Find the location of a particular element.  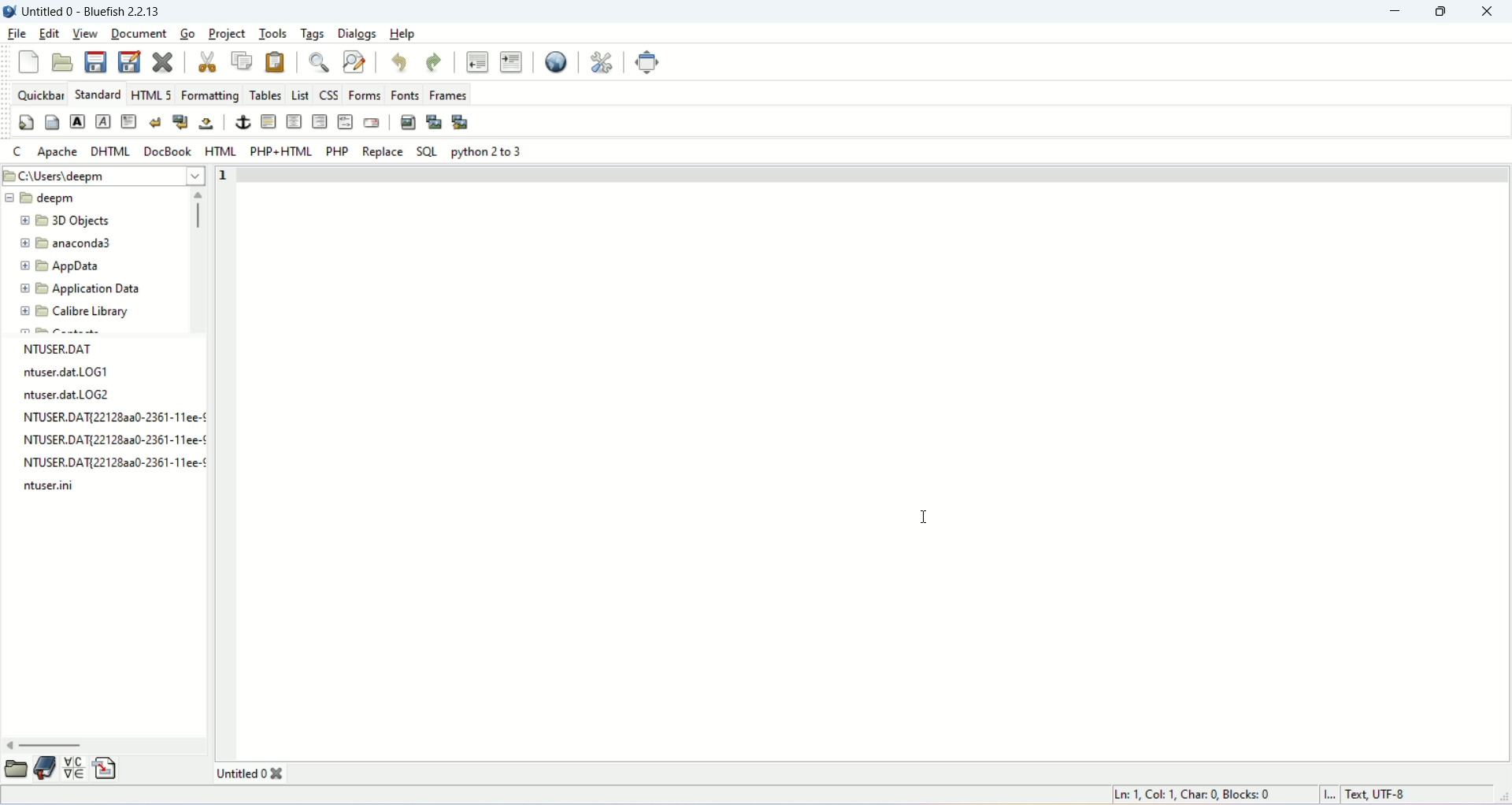

cut is located at coordinates (207, 62).